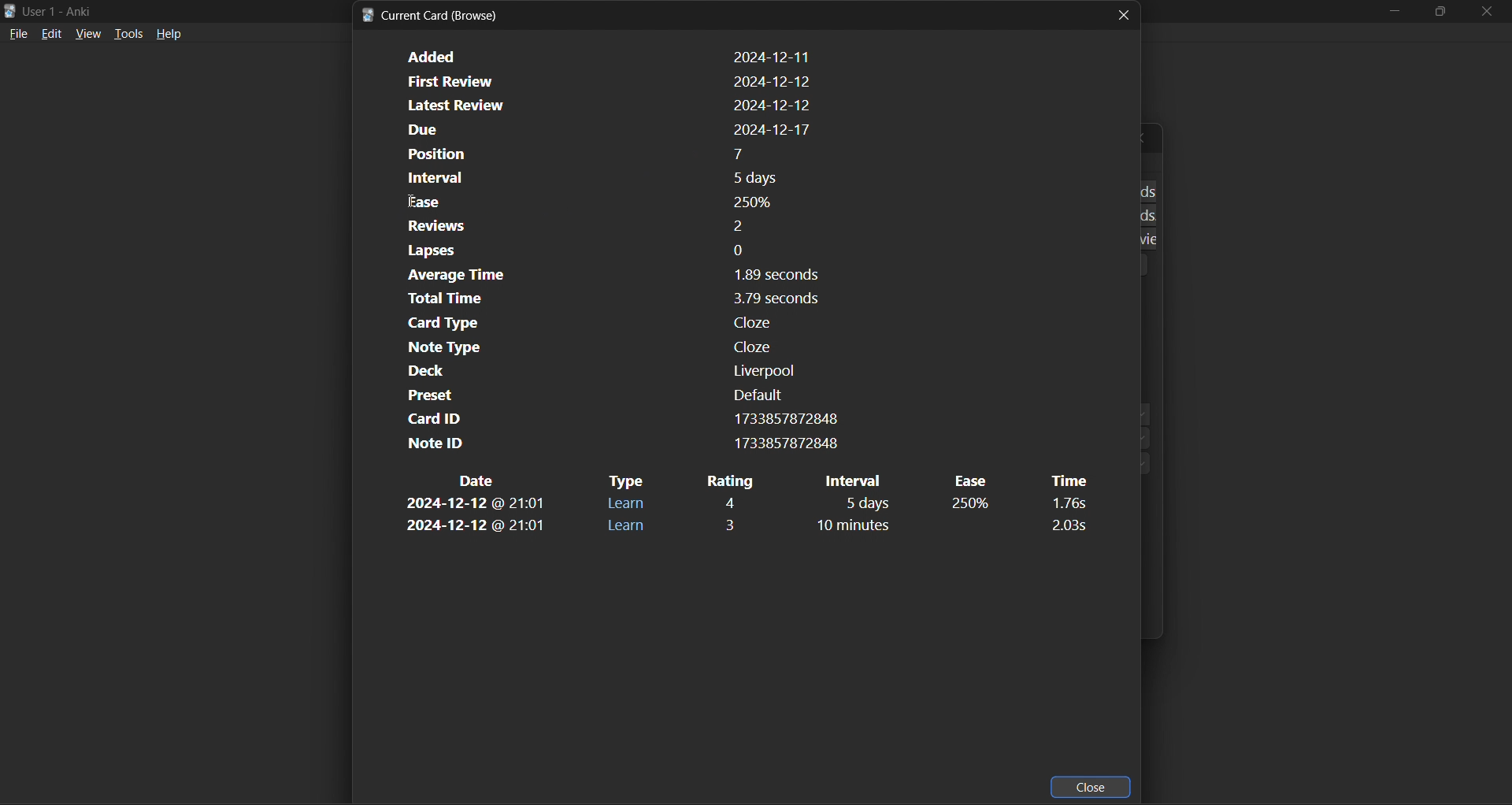  I want to click on ease, so click(971, 505).